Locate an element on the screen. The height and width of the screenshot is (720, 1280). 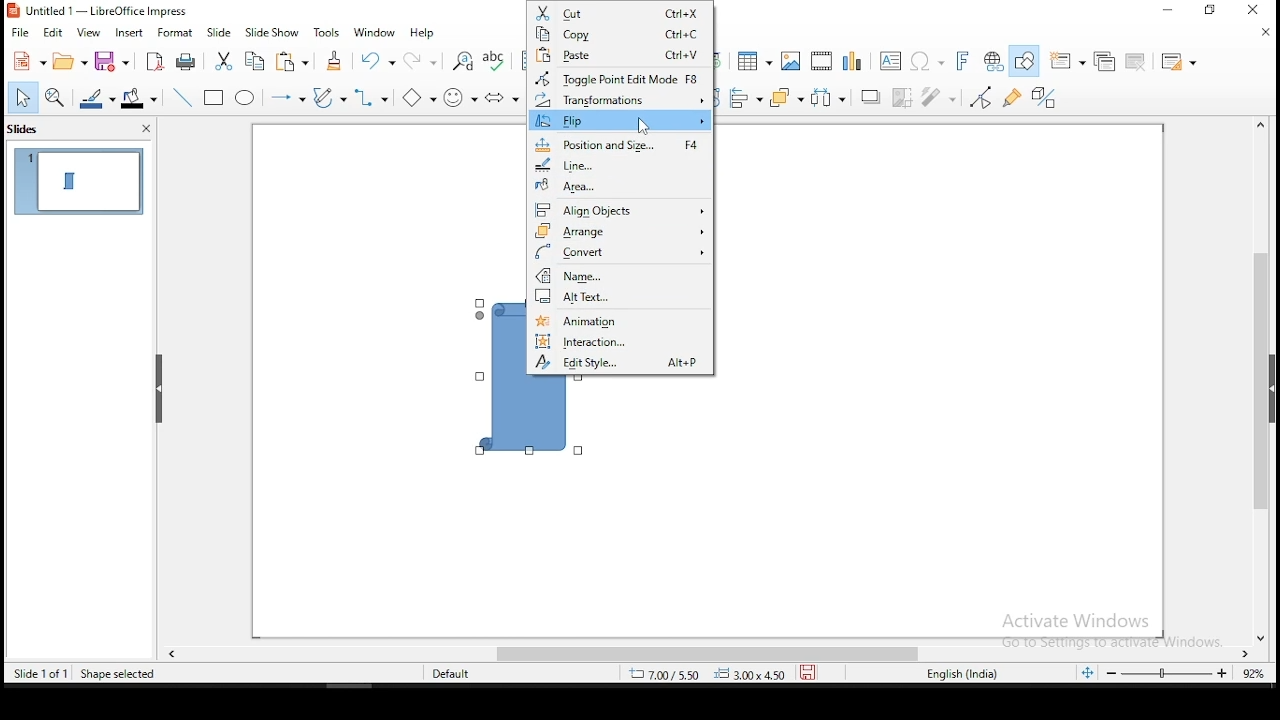
close is located at coordinates (1262, 34).